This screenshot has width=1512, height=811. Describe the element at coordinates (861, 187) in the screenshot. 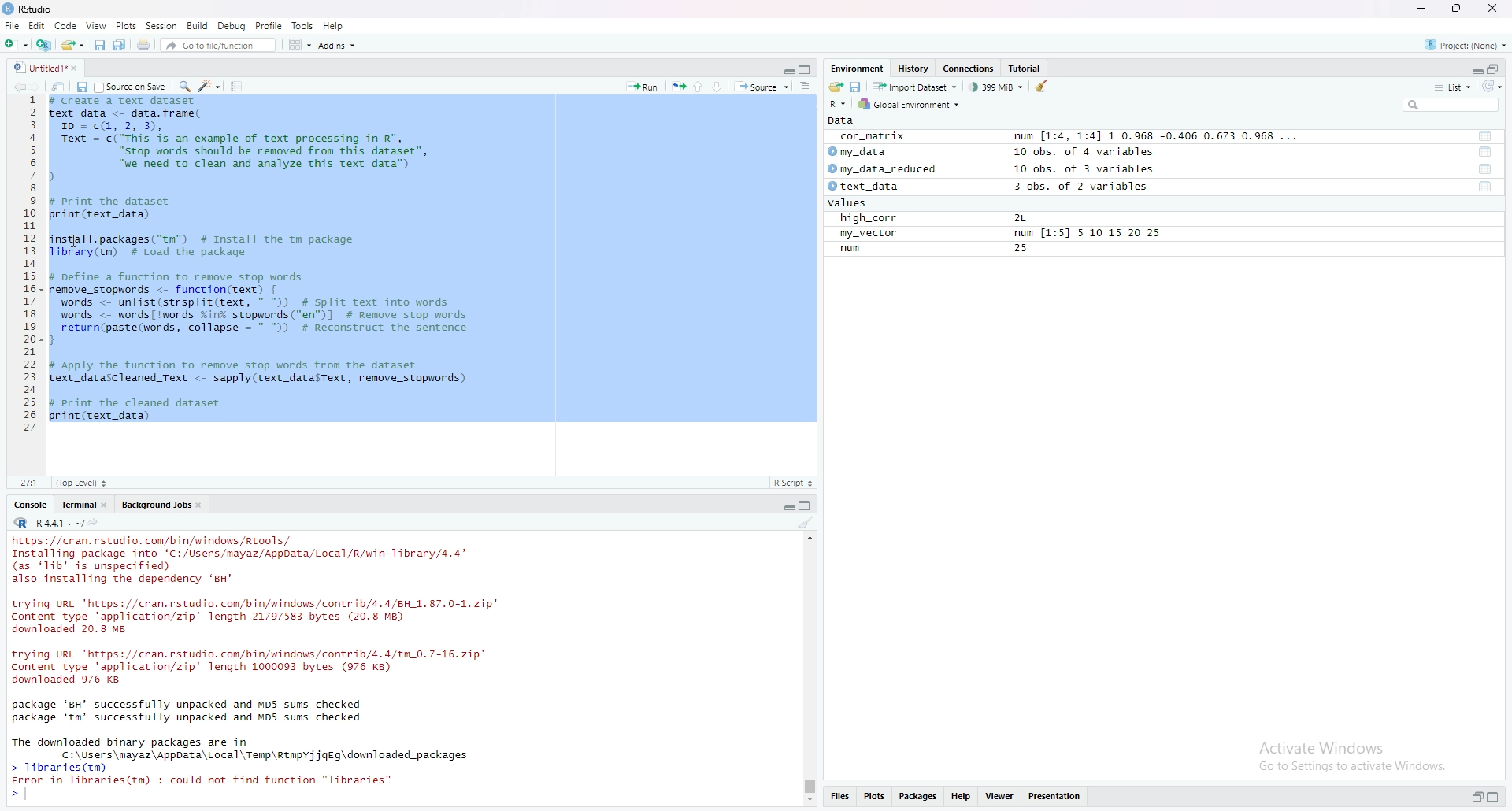

I see `text_data` at that location.